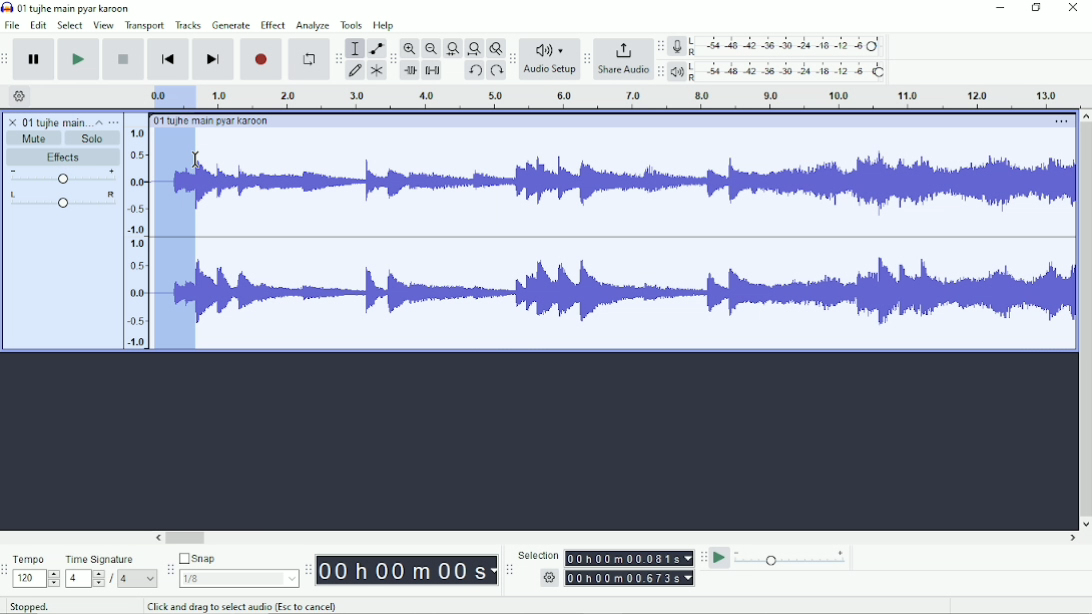 The height and width of the screenshot is (614, 1092). What do you see at coordinates (1072, 9) in the screenshot?
I see `Close` at bounding box center [1072, 9].